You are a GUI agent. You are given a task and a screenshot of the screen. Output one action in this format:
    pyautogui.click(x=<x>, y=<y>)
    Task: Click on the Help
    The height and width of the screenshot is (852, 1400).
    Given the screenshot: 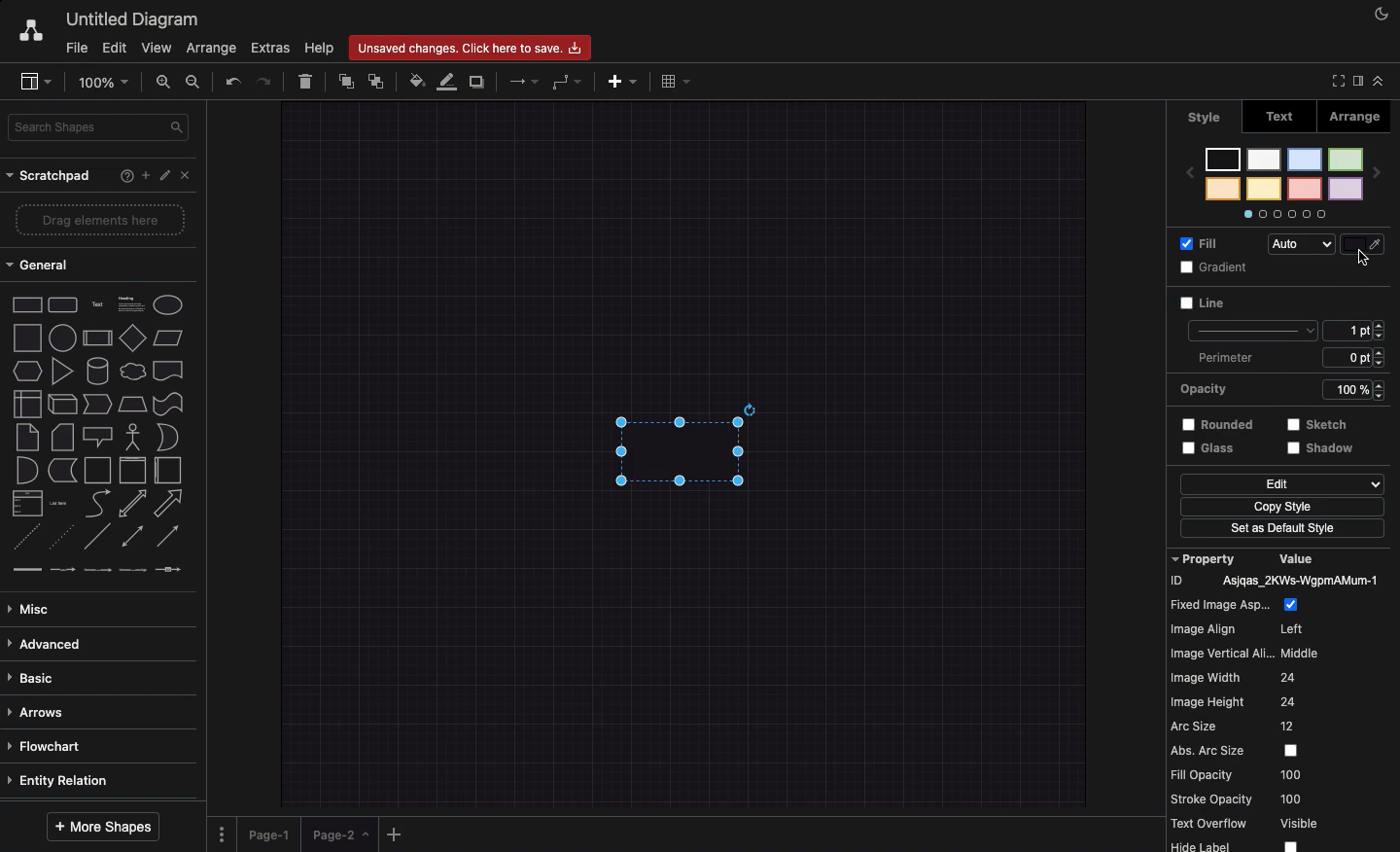 What is the action you would take?
    pyautogui.click(x=320, y=48)
    